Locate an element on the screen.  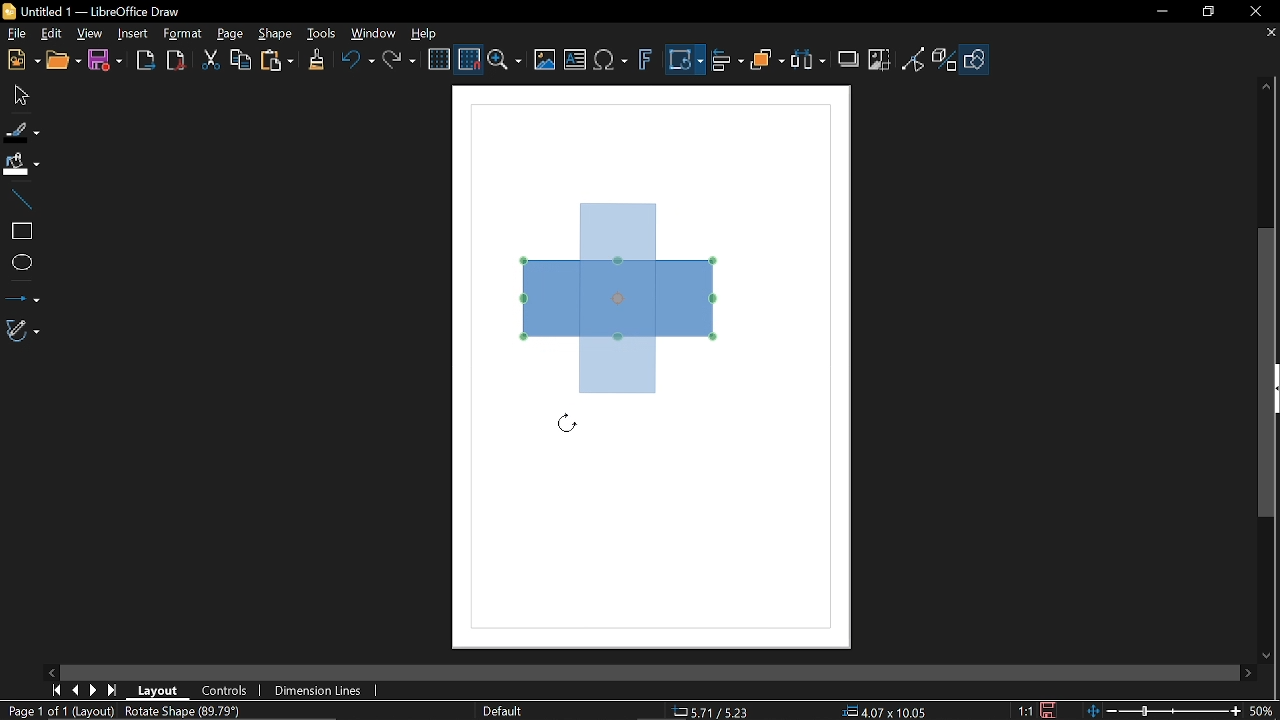
Transformation is located at coordinates (685, 62).